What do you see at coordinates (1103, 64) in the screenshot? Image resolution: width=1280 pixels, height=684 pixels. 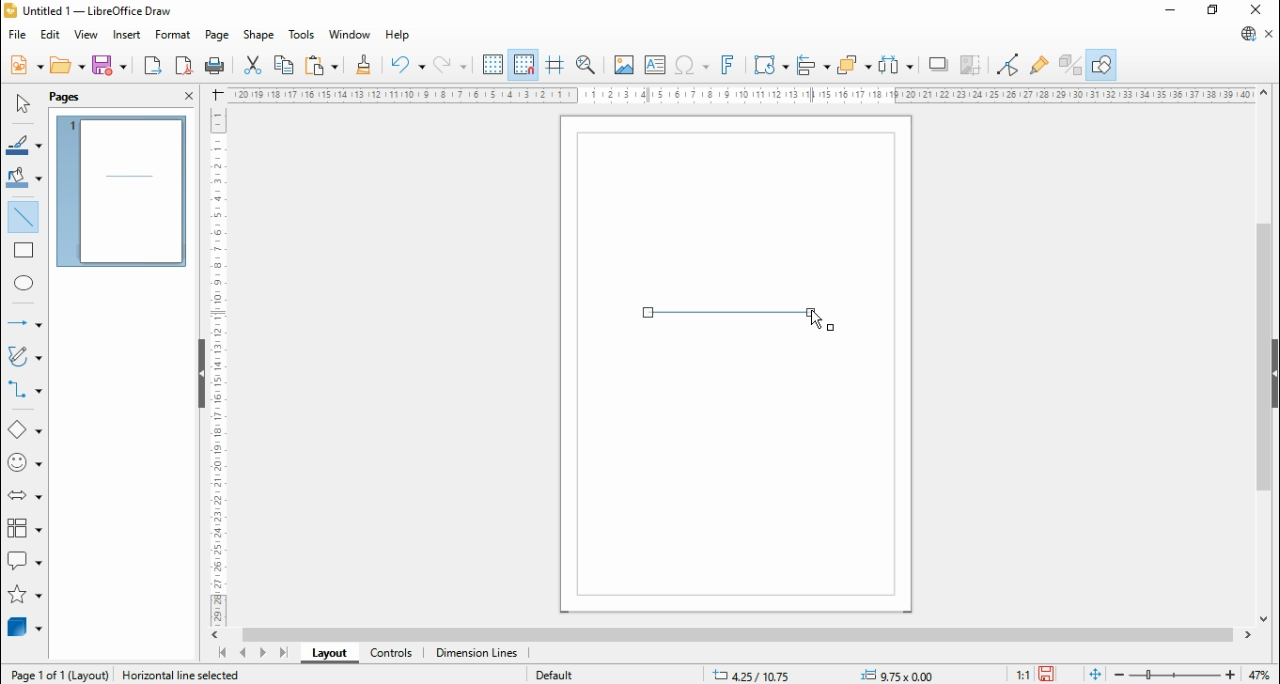 I see `show draw functions` at bounding box center [1103, 64].